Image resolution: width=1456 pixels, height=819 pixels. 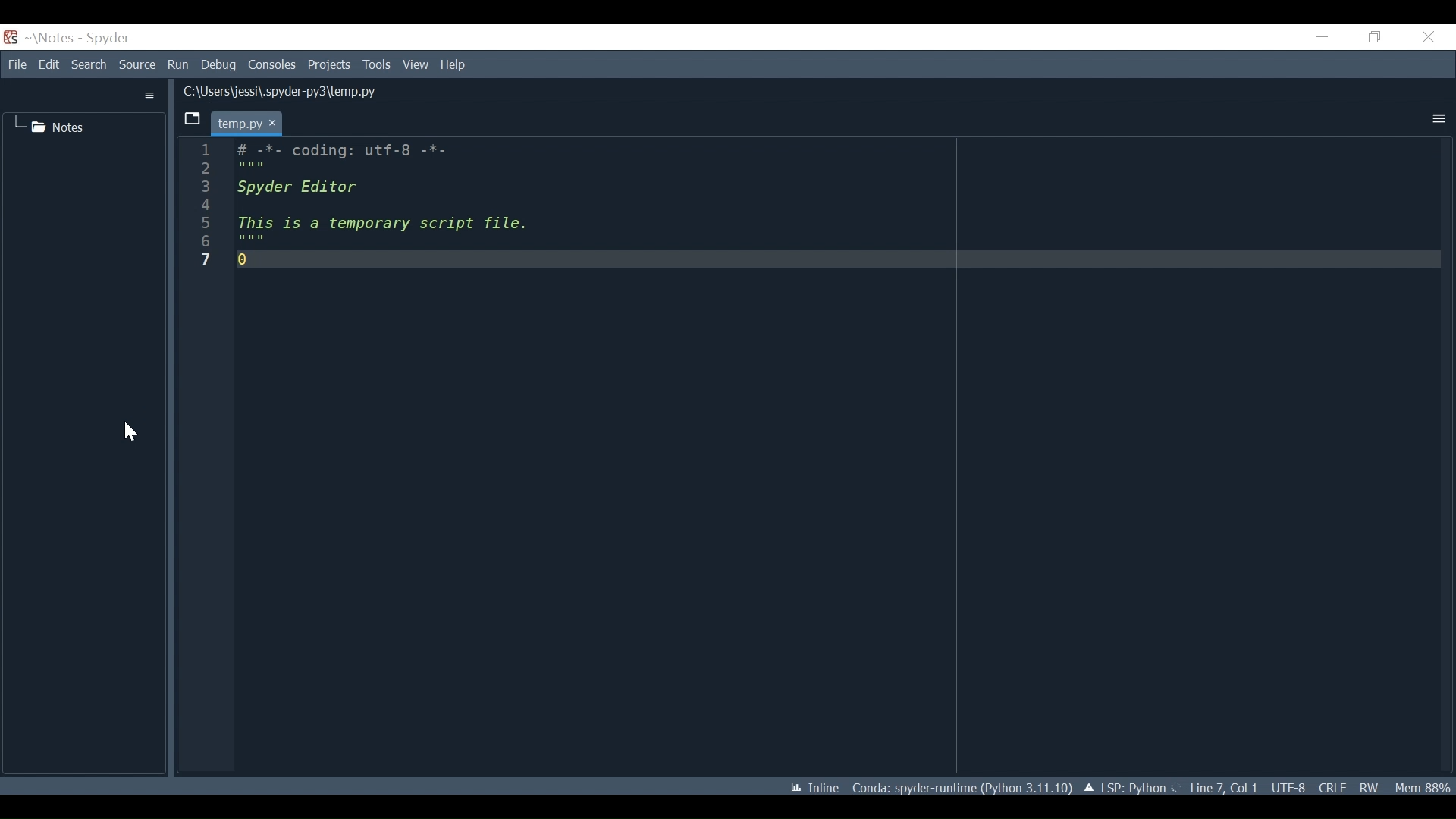 What do you see at coordinates (190, 120) in the screenshot?
I see `Browse tab` at bounding box center [190, 120].